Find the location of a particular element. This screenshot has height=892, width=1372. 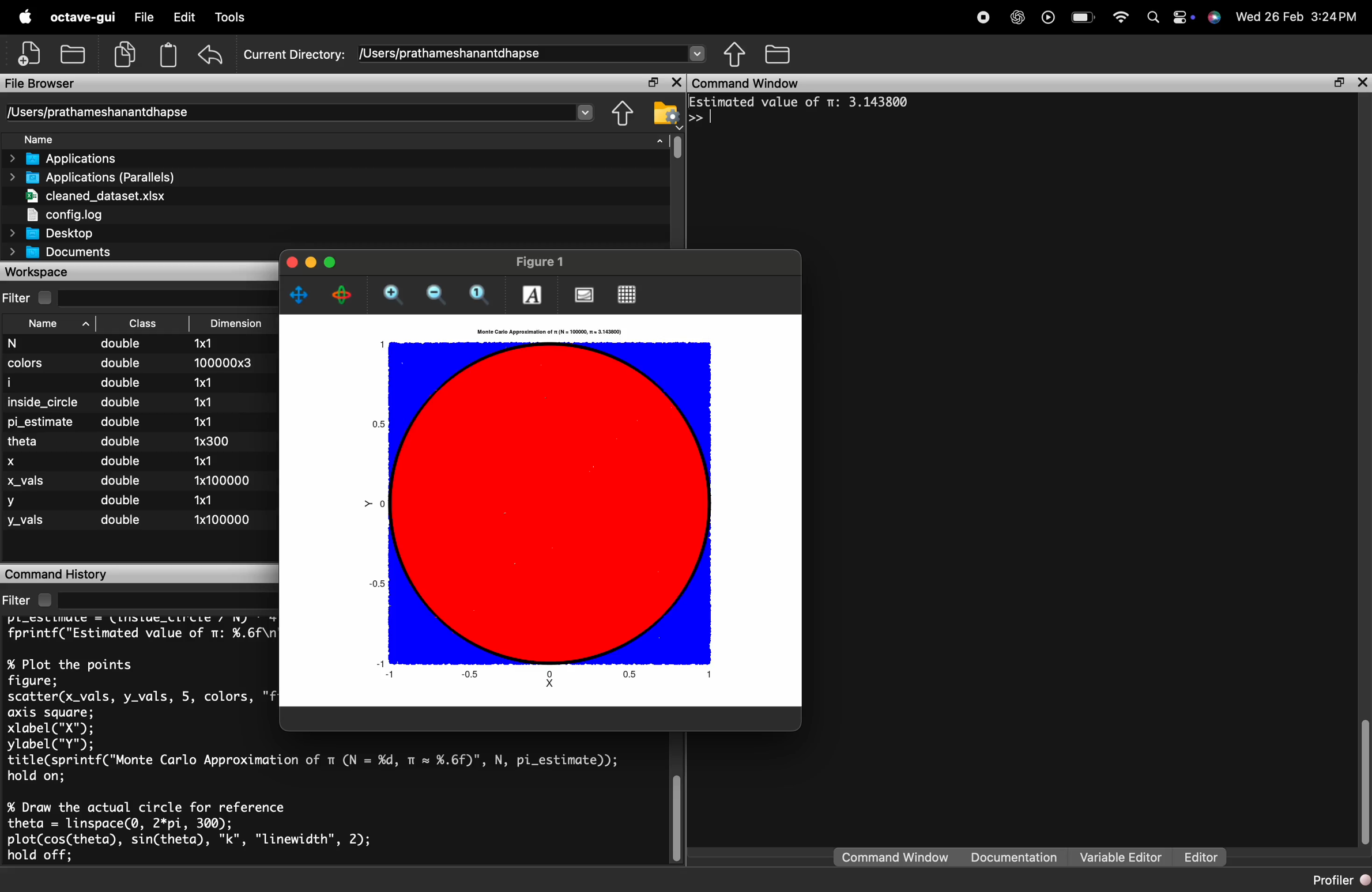

Close is located at coordinates (291, 263).